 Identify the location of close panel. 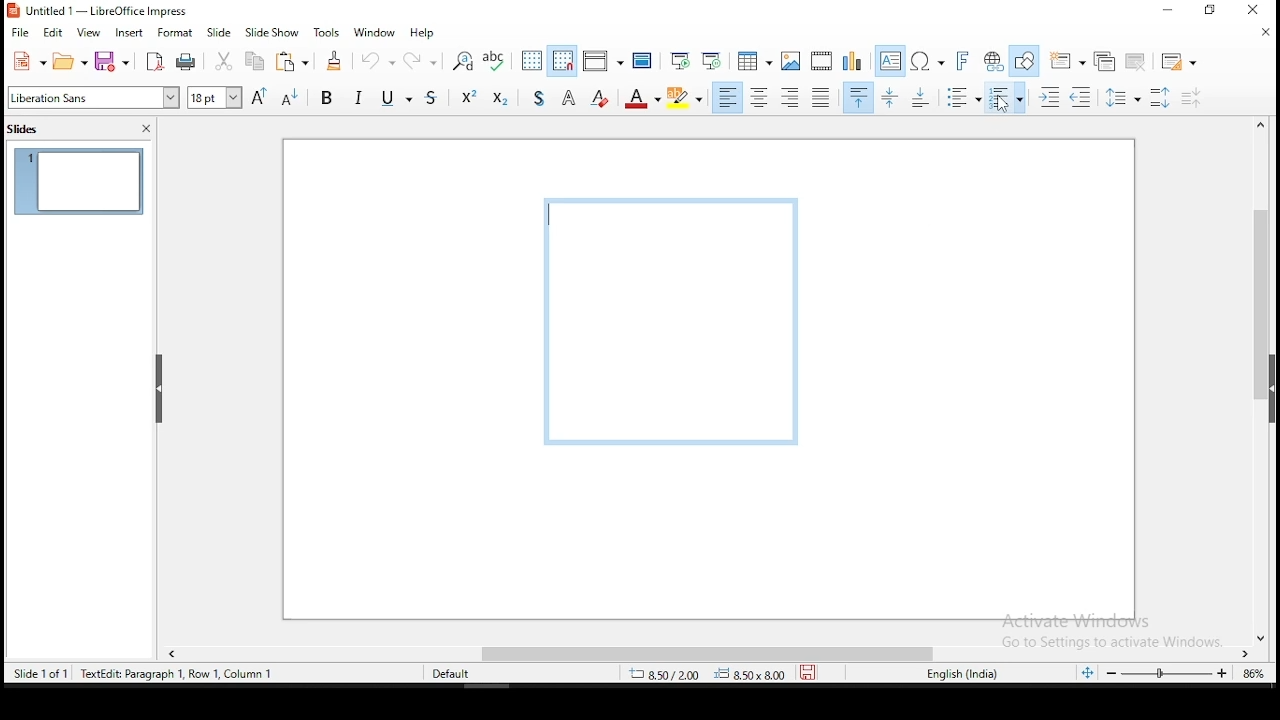
(147, 128).